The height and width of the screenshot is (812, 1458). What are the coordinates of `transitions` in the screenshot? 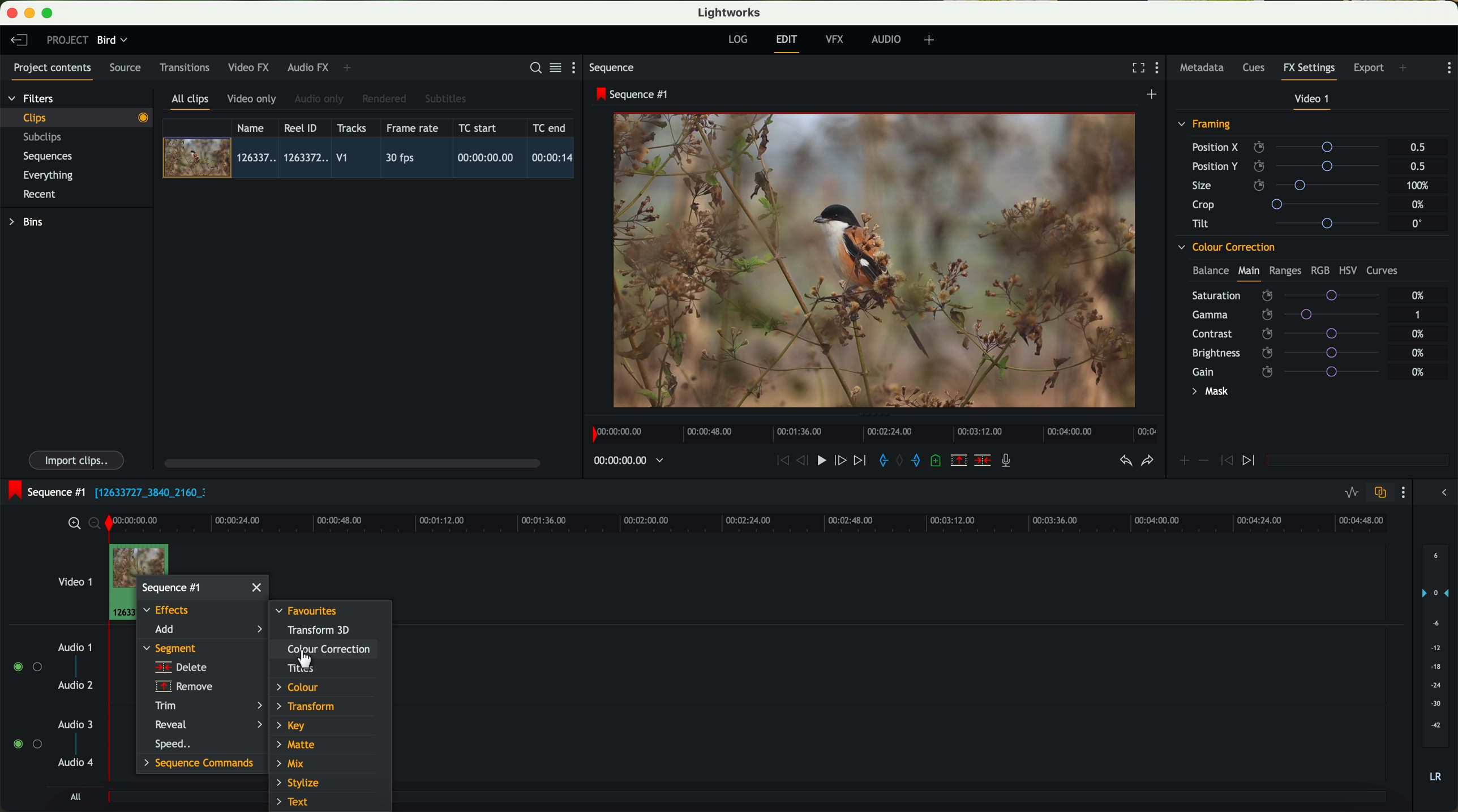 It's located at (184, 67).